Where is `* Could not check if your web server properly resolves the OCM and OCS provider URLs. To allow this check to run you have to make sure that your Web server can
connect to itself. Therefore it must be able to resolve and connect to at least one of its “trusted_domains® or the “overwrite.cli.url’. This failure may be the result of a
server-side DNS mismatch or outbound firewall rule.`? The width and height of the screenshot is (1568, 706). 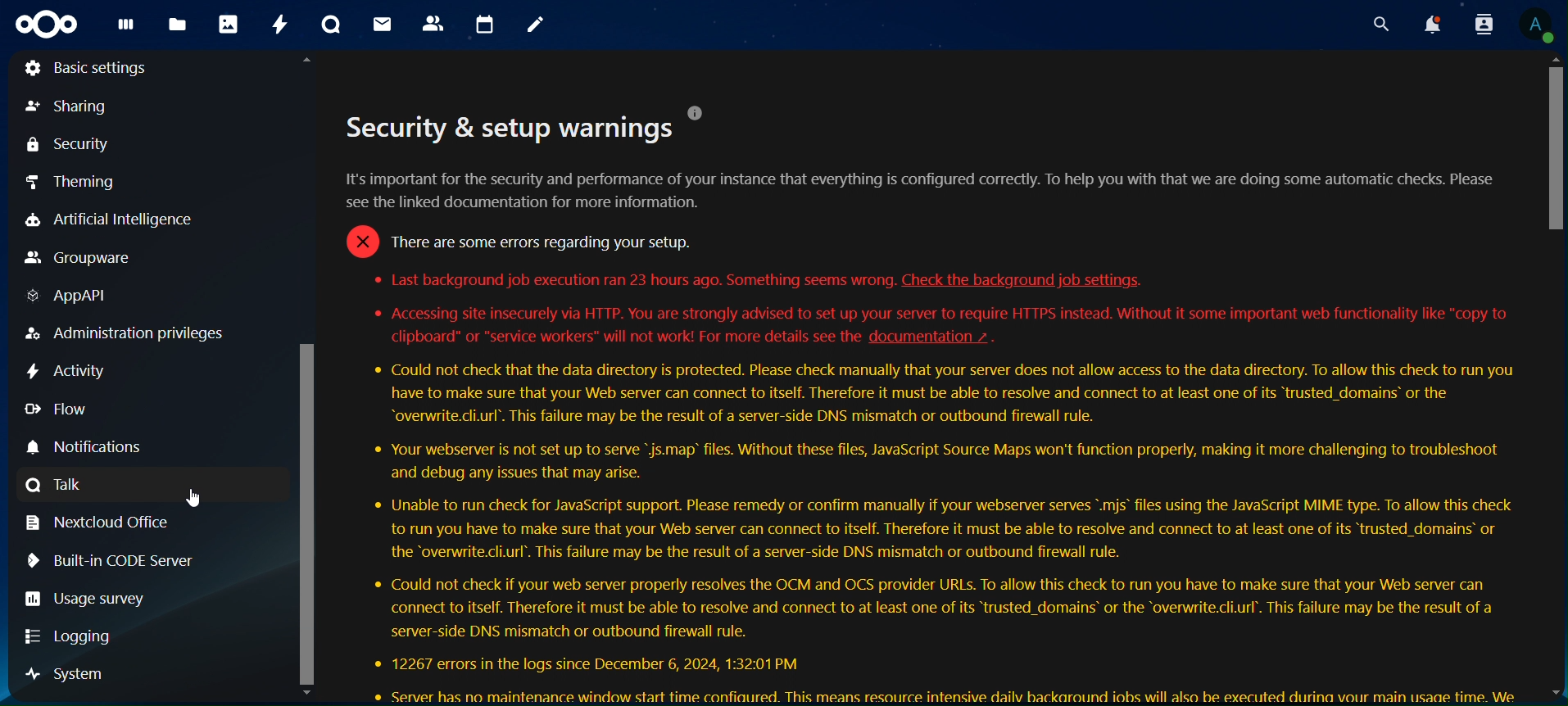 * Could not check if your web server properly resolves the OCM and OCS provider URLs. To allow this check to run you have to make sure that your Web server can
connect to itself. Therefore it must be able to resolve and connect to at least one of its “trusted_domains® or the “overwrite.cli.url’. This failure may be the result of a
server-side DNS mismatch or outbound firewall rule. is located at coordinates (931, 607).